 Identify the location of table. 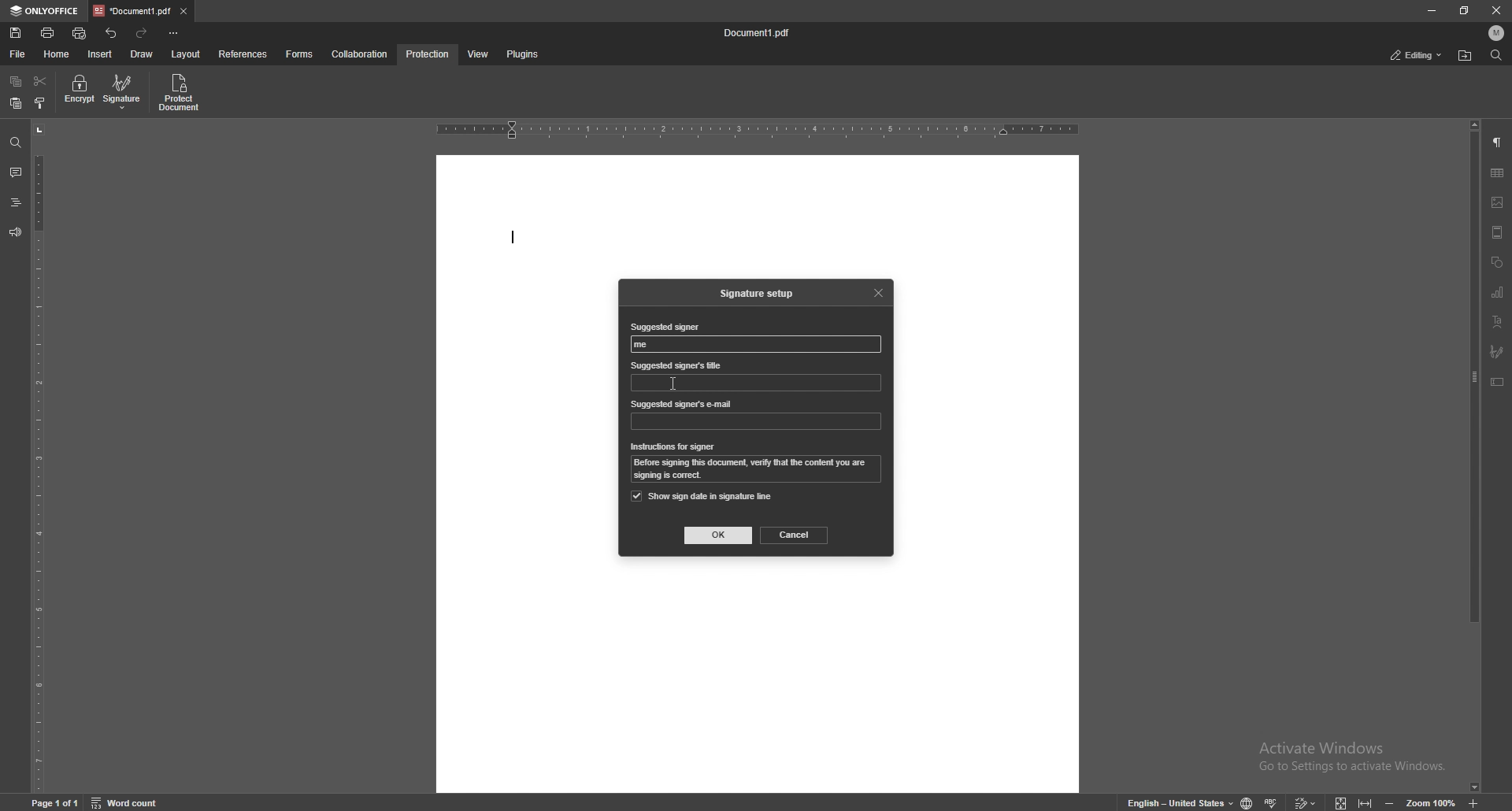
(1497, 173).